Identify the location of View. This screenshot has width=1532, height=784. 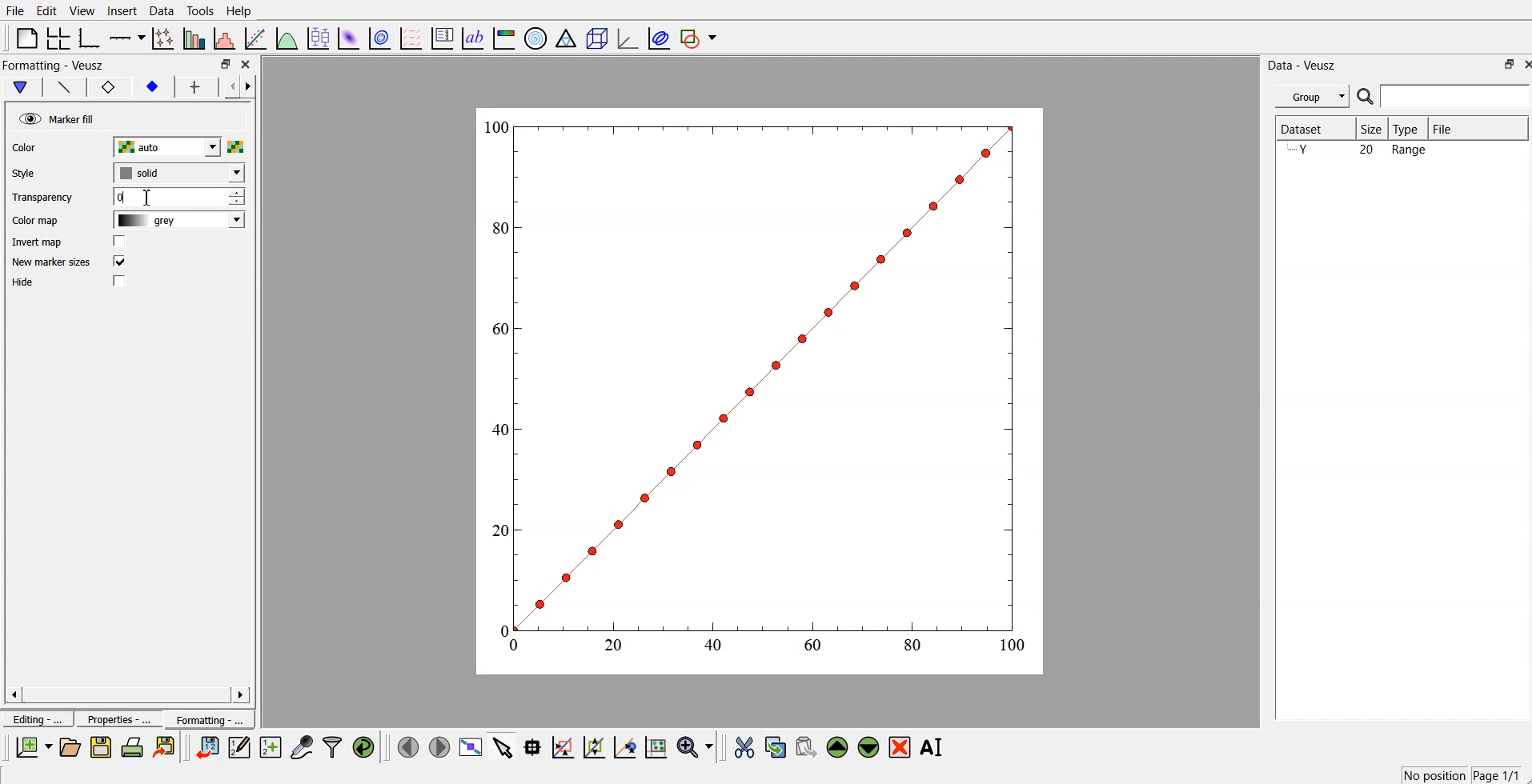
(82, 10).